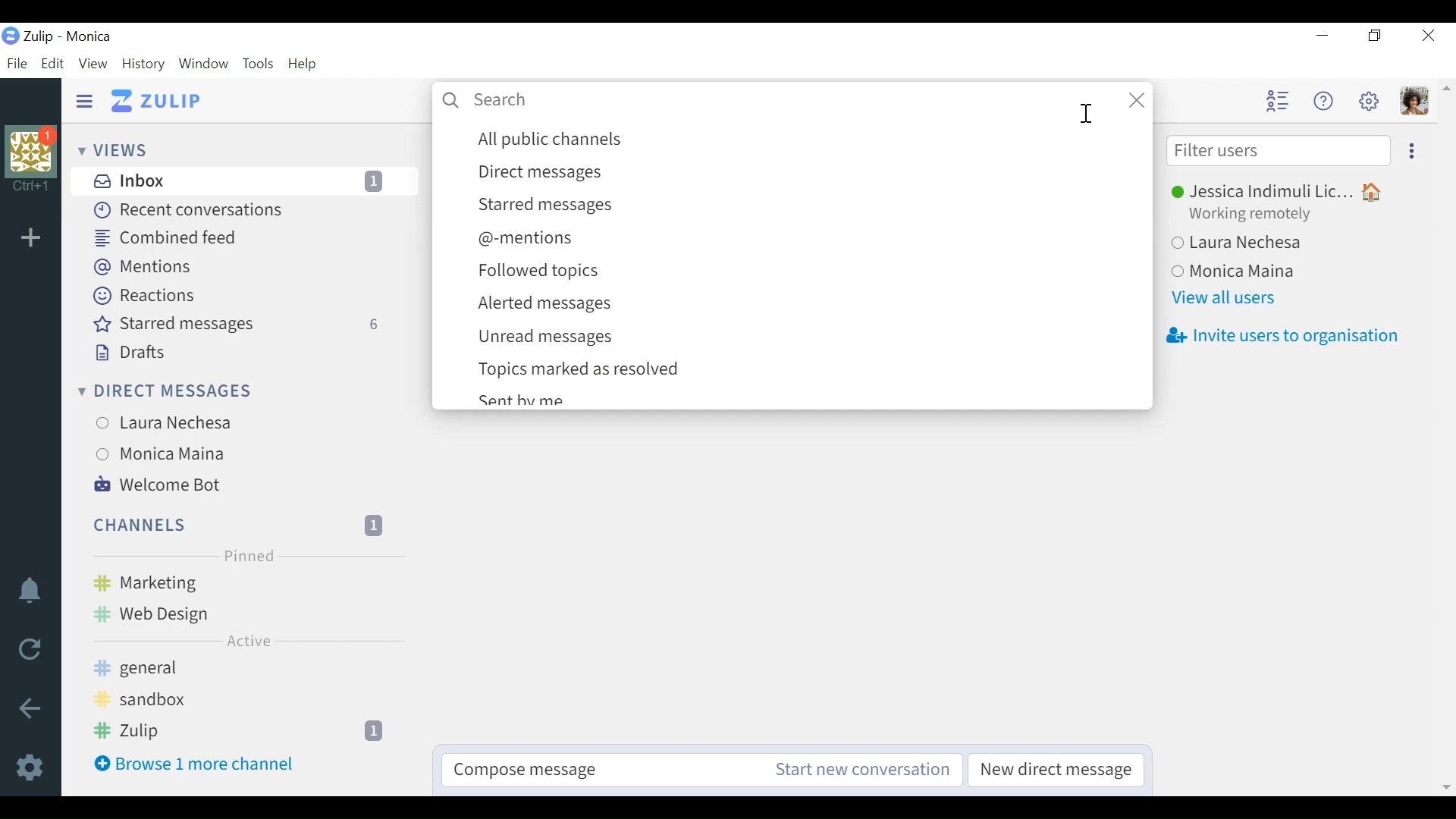  What do you see at coordinates (28, 651) in the screenshot?
I see `Reload` at bounding box center [28, 651].